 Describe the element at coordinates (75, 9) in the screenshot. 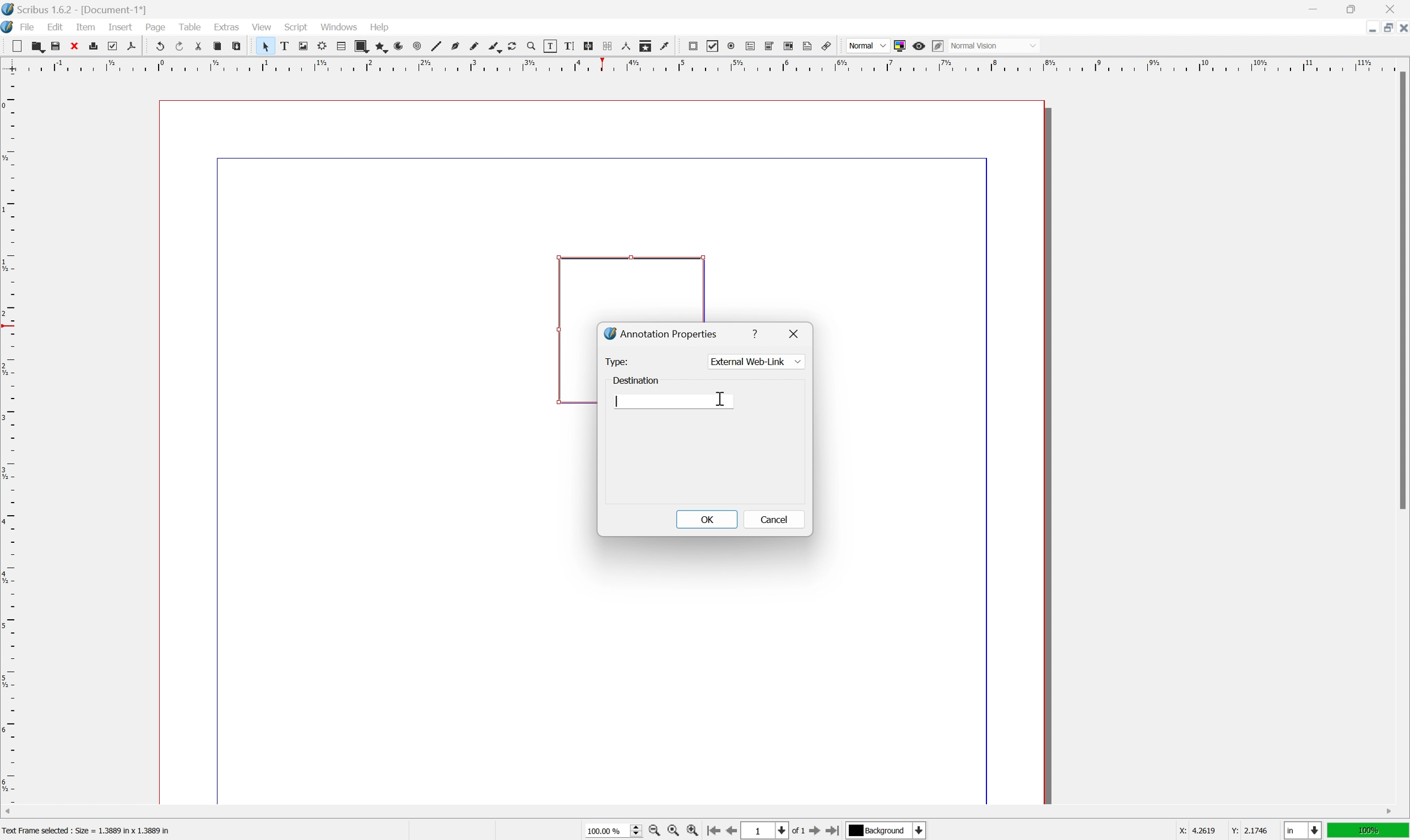

I see `Application name` at that location.